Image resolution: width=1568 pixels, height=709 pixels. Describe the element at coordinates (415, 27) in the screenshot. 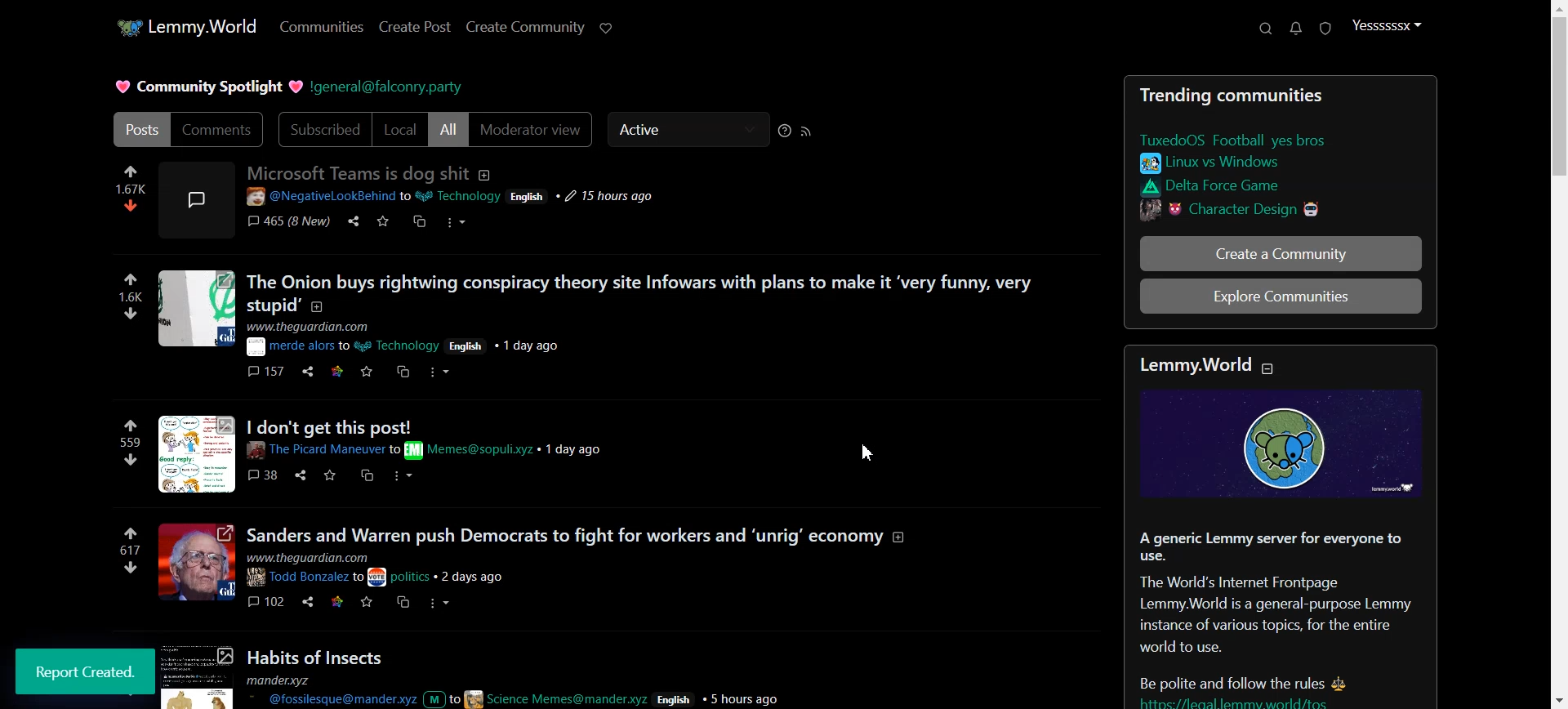

I see `Create Post` at that location.